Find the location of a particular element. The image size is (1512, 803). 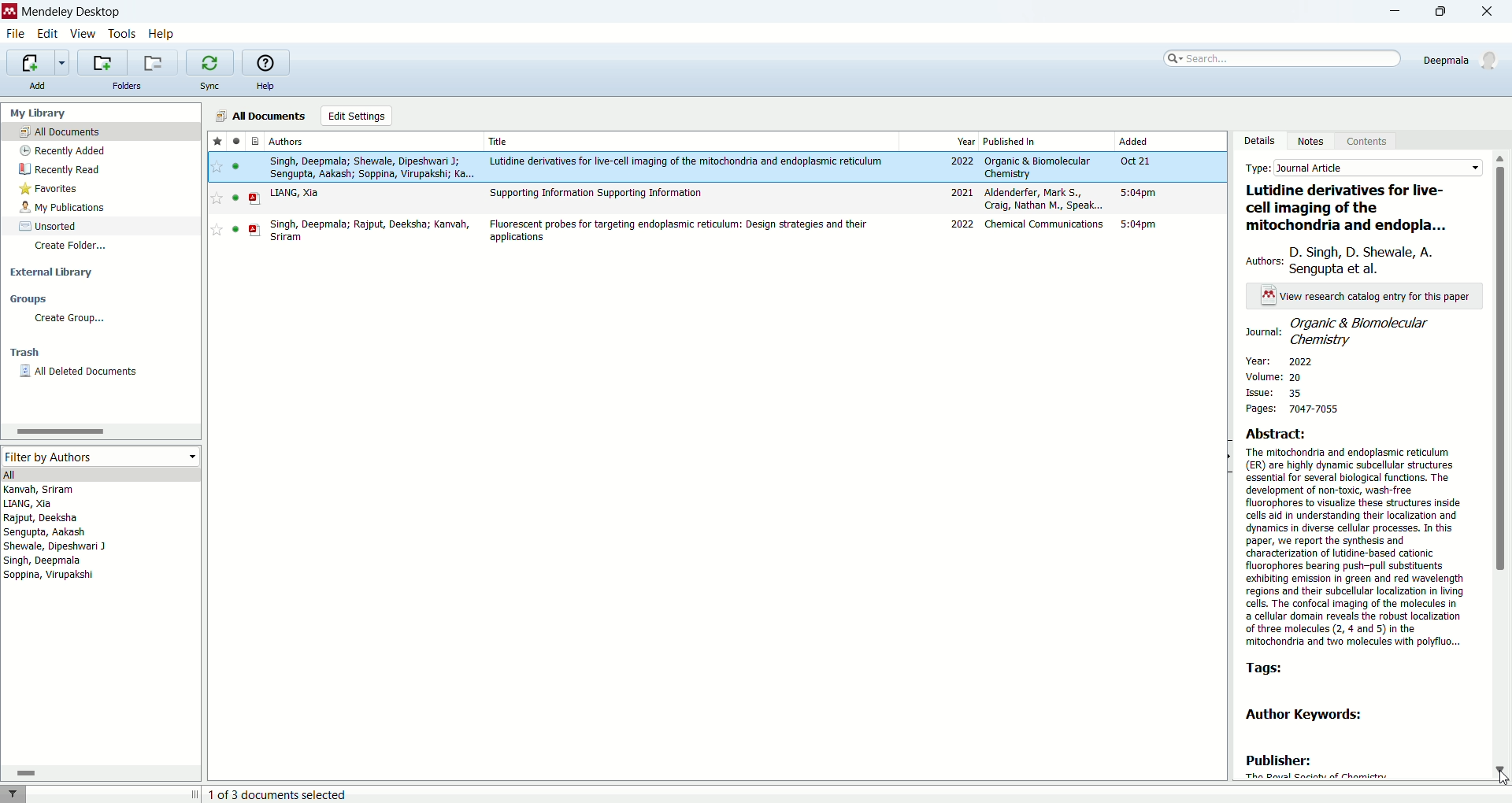

document type is located at coordinates (257, 140).